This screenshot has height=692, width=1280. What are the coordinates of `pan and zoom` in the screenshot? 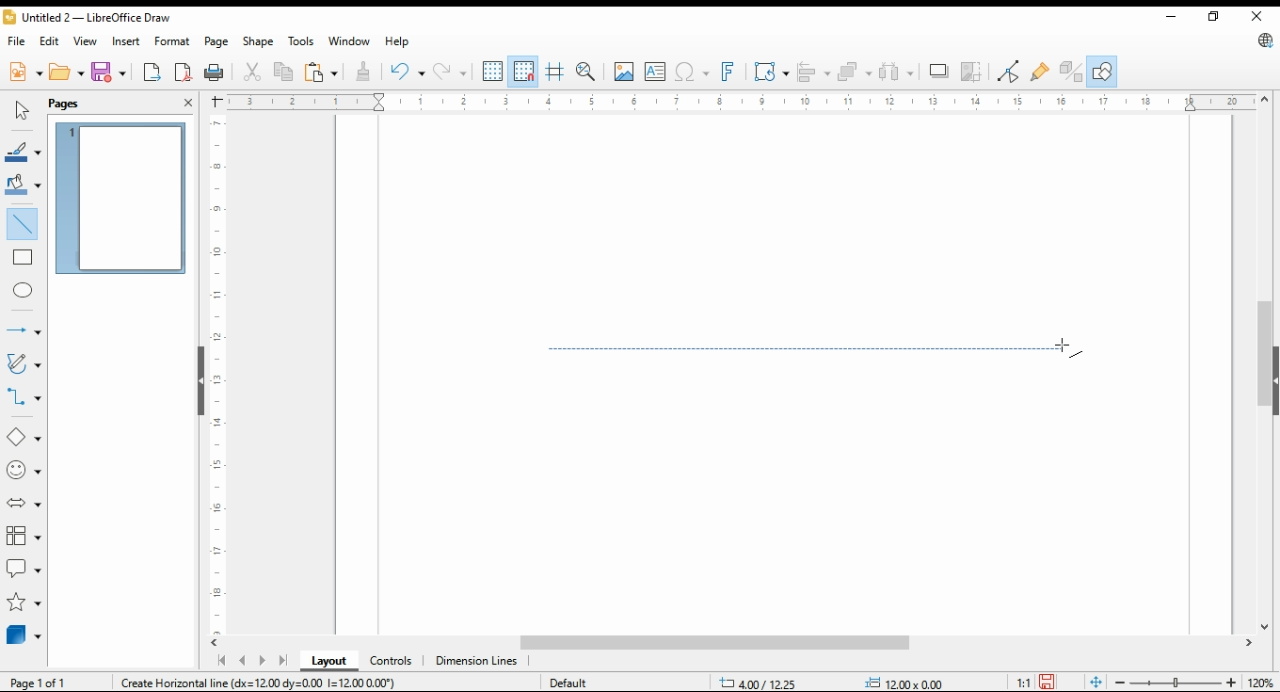 It's located at (587, 72).